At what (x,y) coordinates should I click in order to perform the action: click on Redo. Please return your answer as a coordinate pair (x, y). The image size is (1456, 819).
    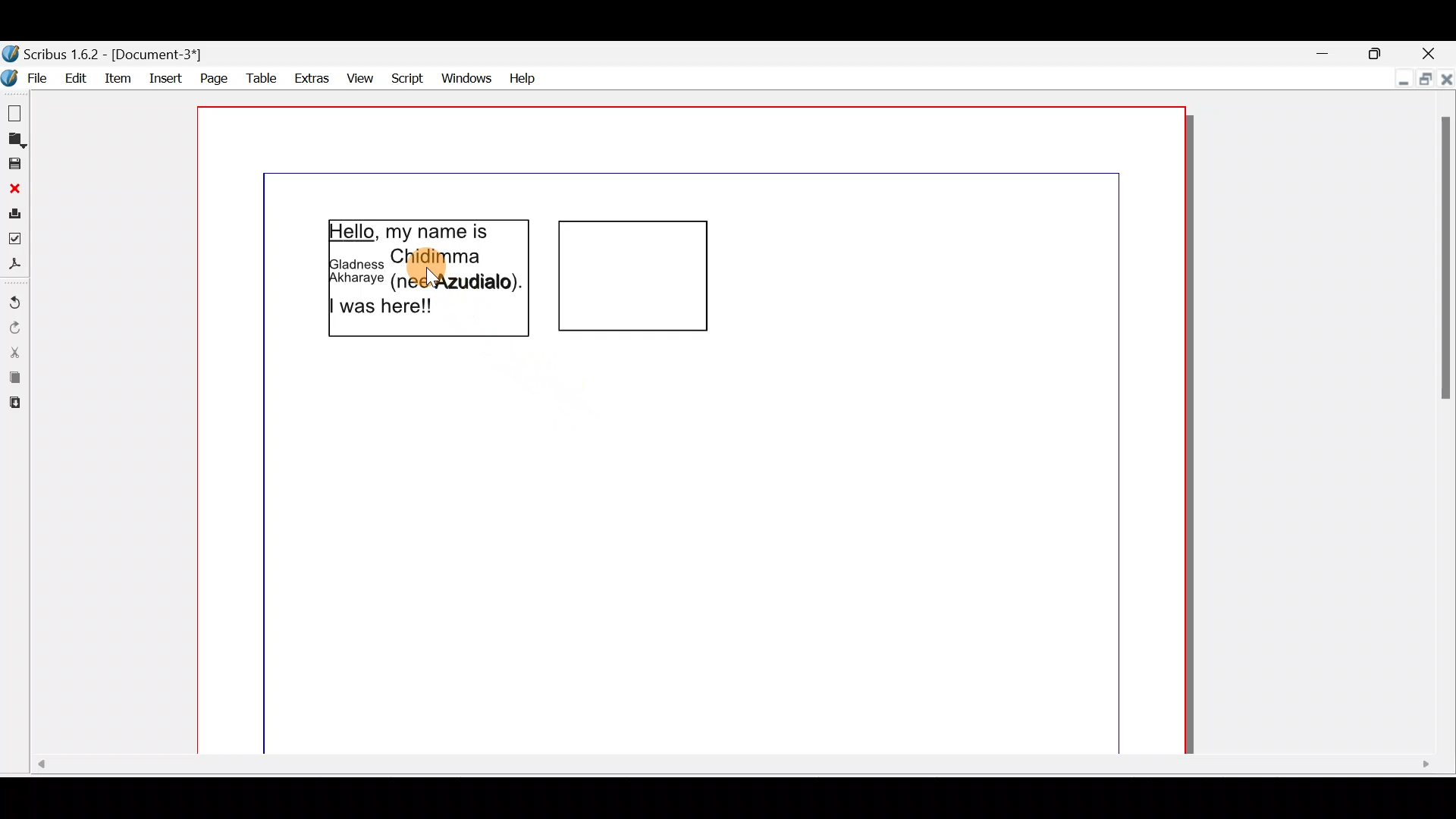
    Looking at the image, I should click on (14, 327).